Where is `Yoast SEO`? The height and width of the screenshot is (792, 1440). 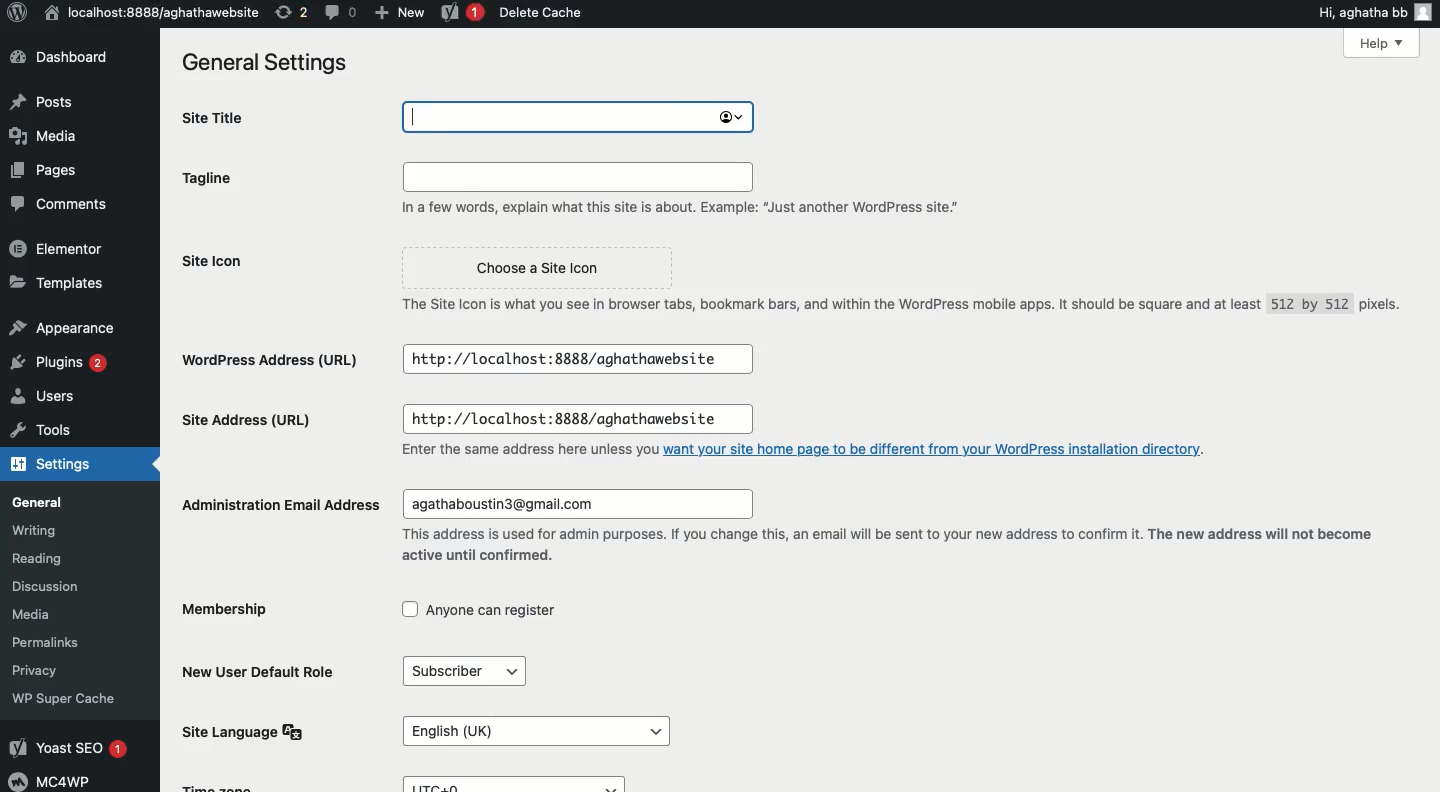
Yoast SEO is located at coordinates (69, 748).